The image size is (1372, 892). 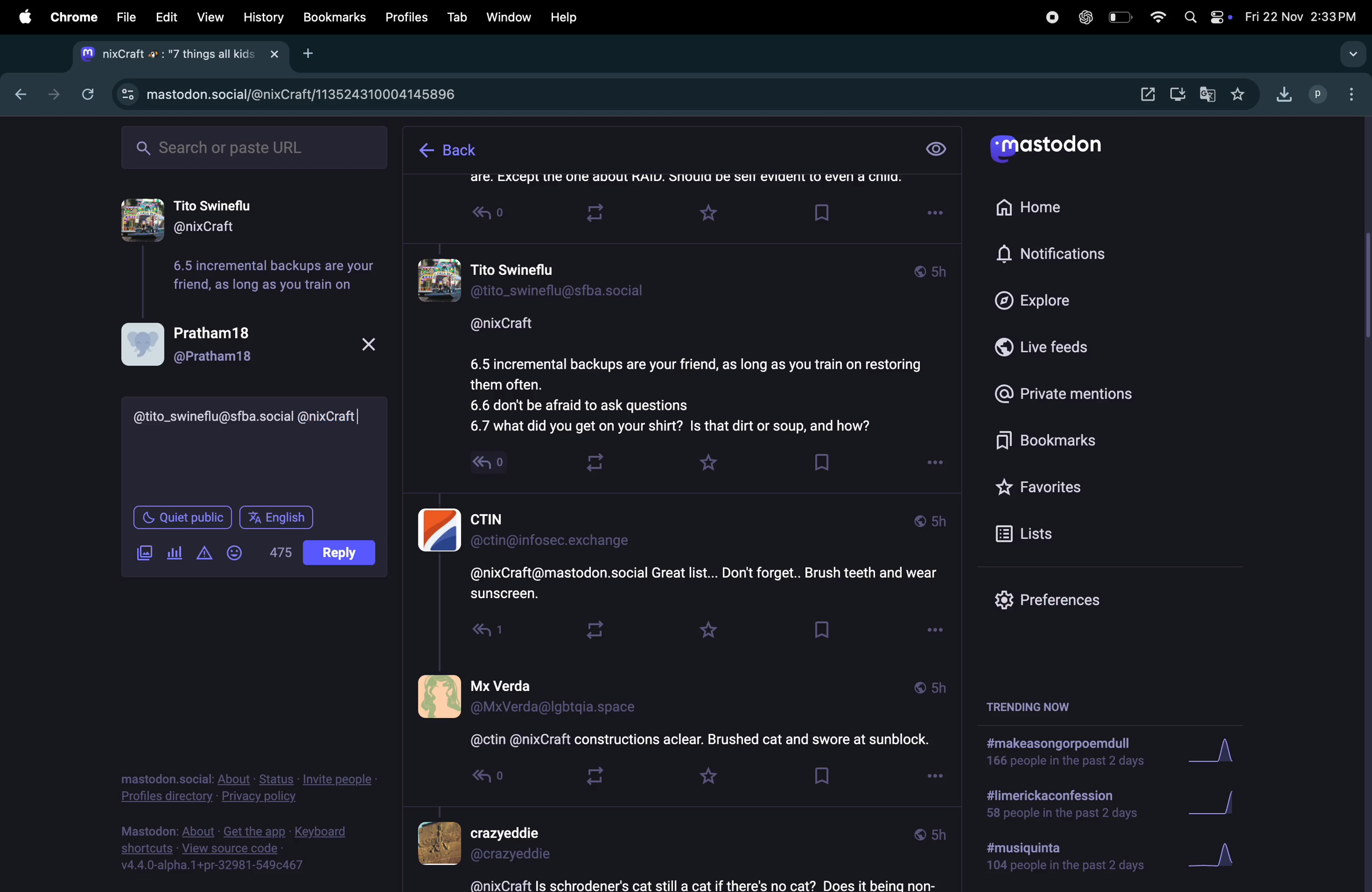 What do you see at coordinates (179, 55) in the screenshot?
I see `tab` at bounding box center [179, 55].